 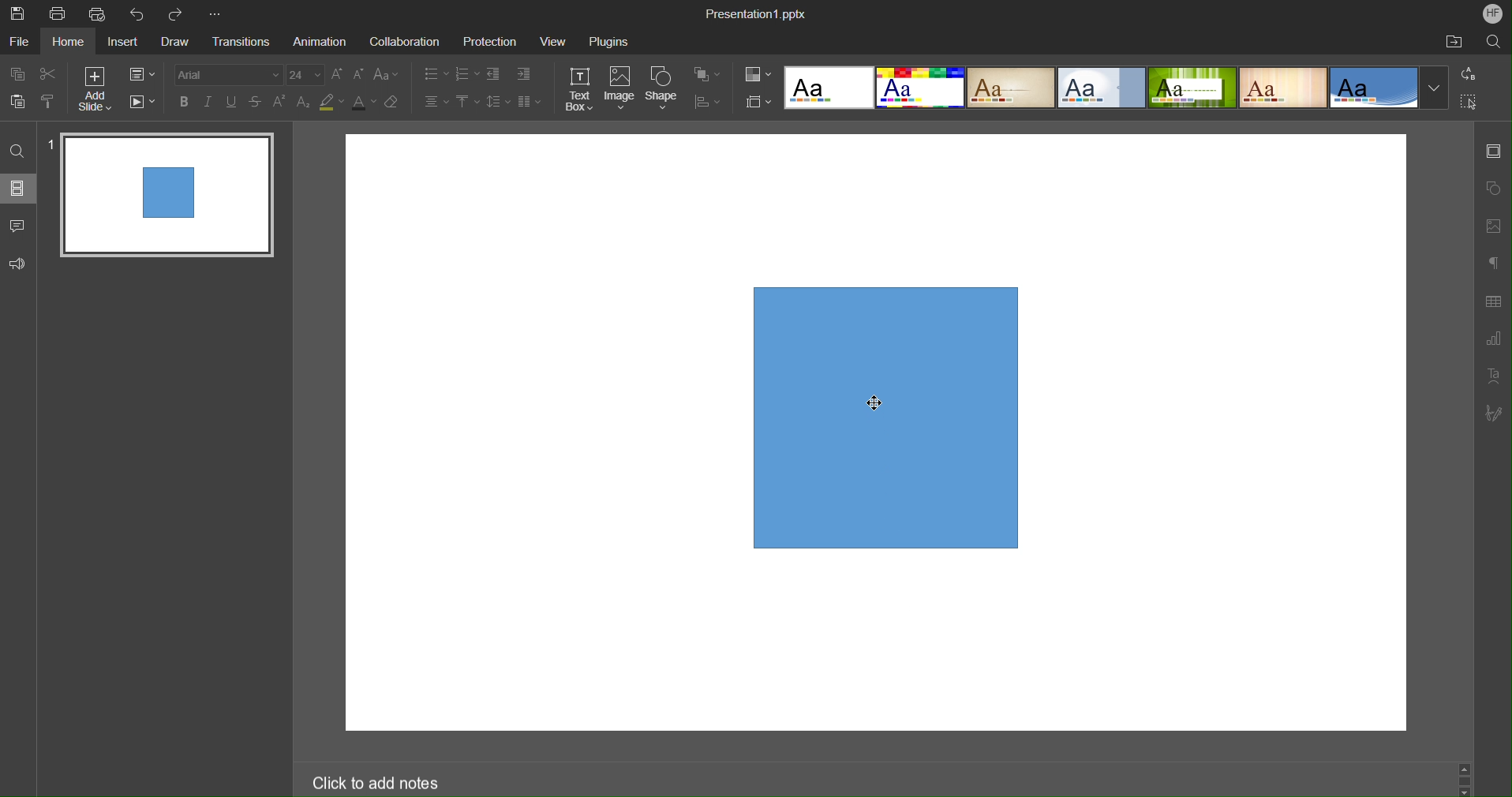 I want to click on Protection, so click(x=492, y=39).